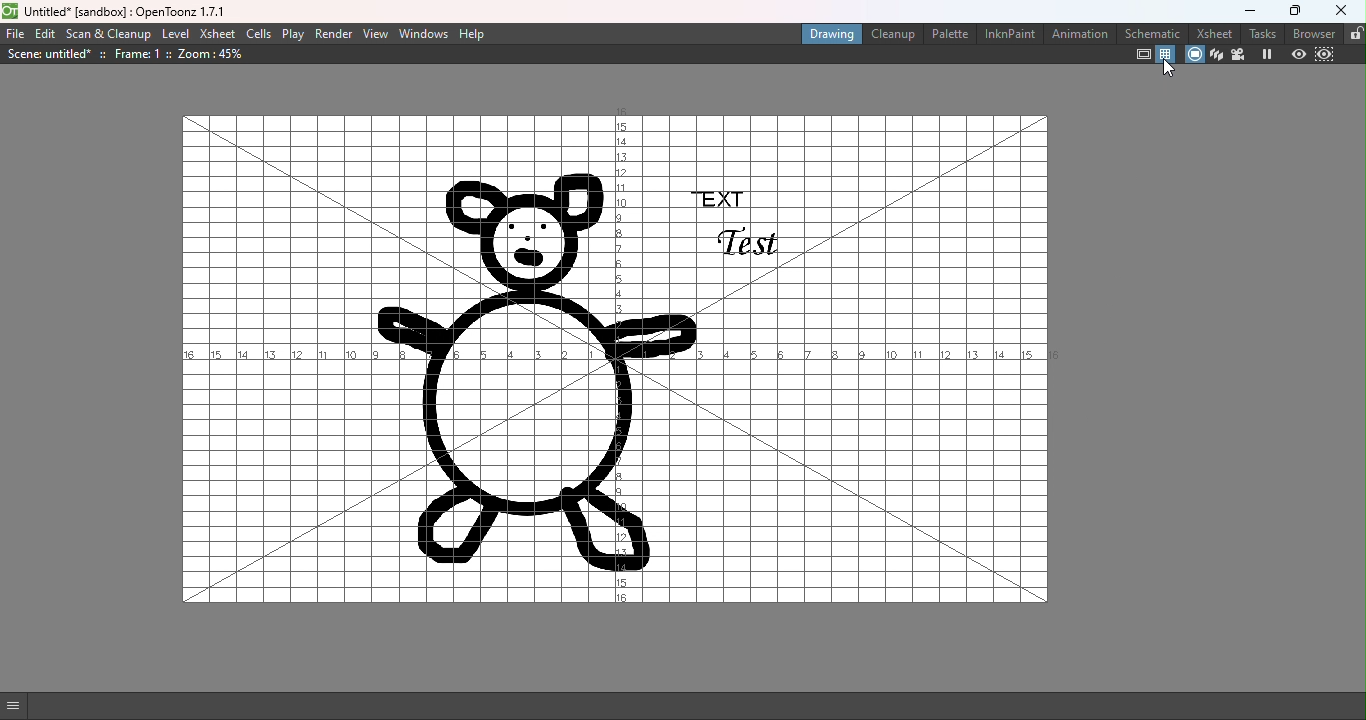 The image size is (1366, 720). I want to click on File, so click(14, 33).